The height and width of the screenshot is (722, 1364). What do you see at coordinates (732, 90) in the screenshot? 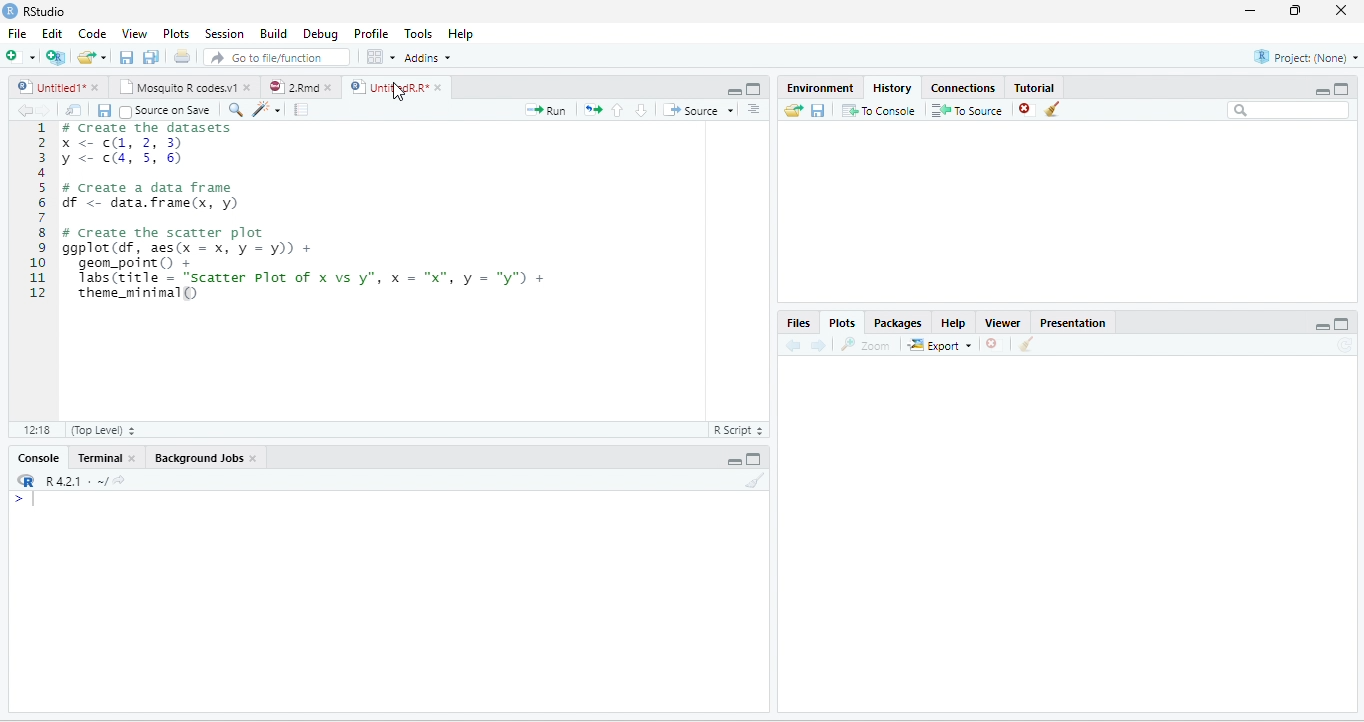
I see `Minimize` at bounding box center [732, 90].